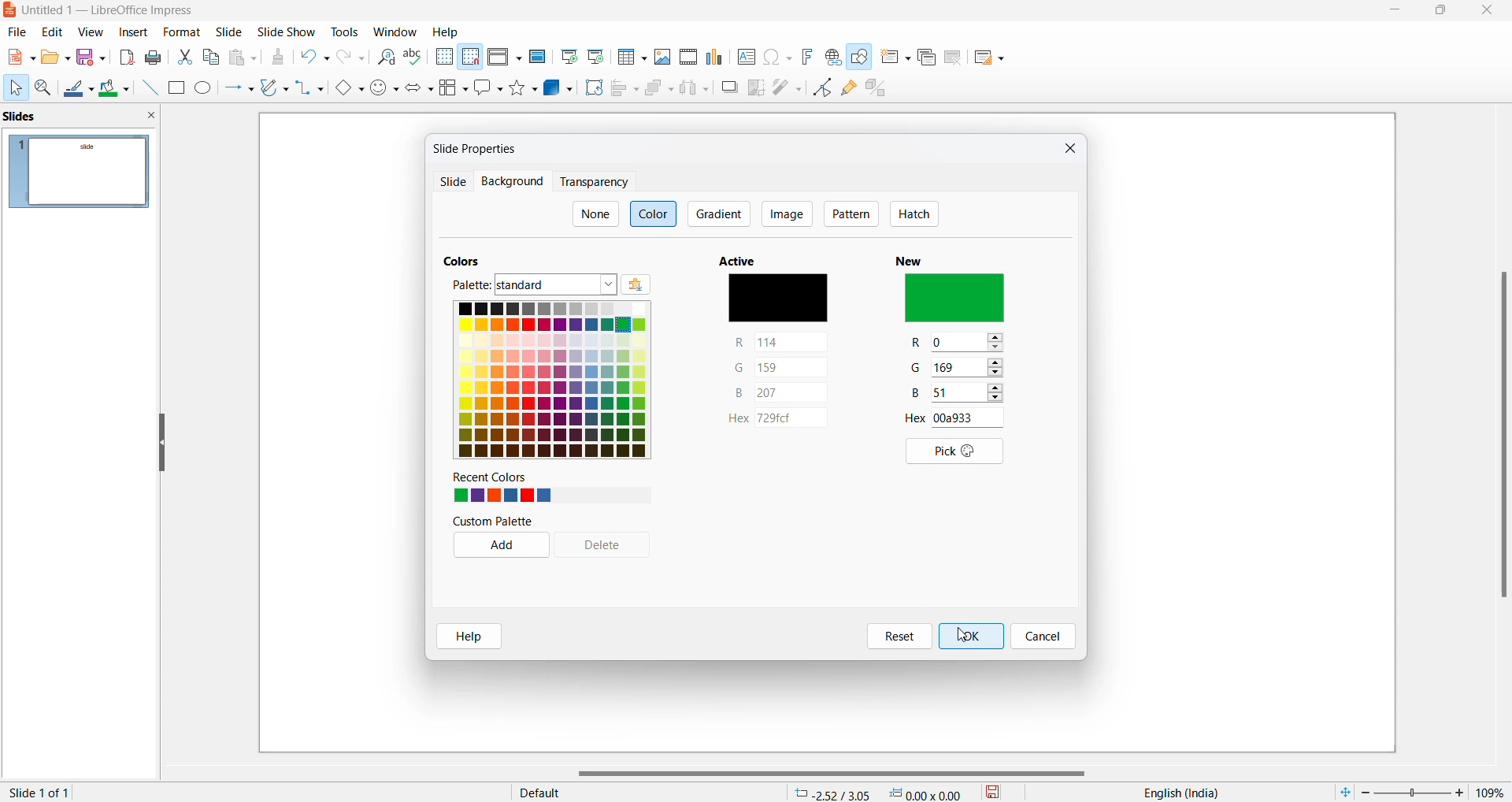 This screenshot has width=1512, height=802. What do you see at coordinates (56, 58) in the screenshot?
I see `file option` at bounding box center [56, 58].